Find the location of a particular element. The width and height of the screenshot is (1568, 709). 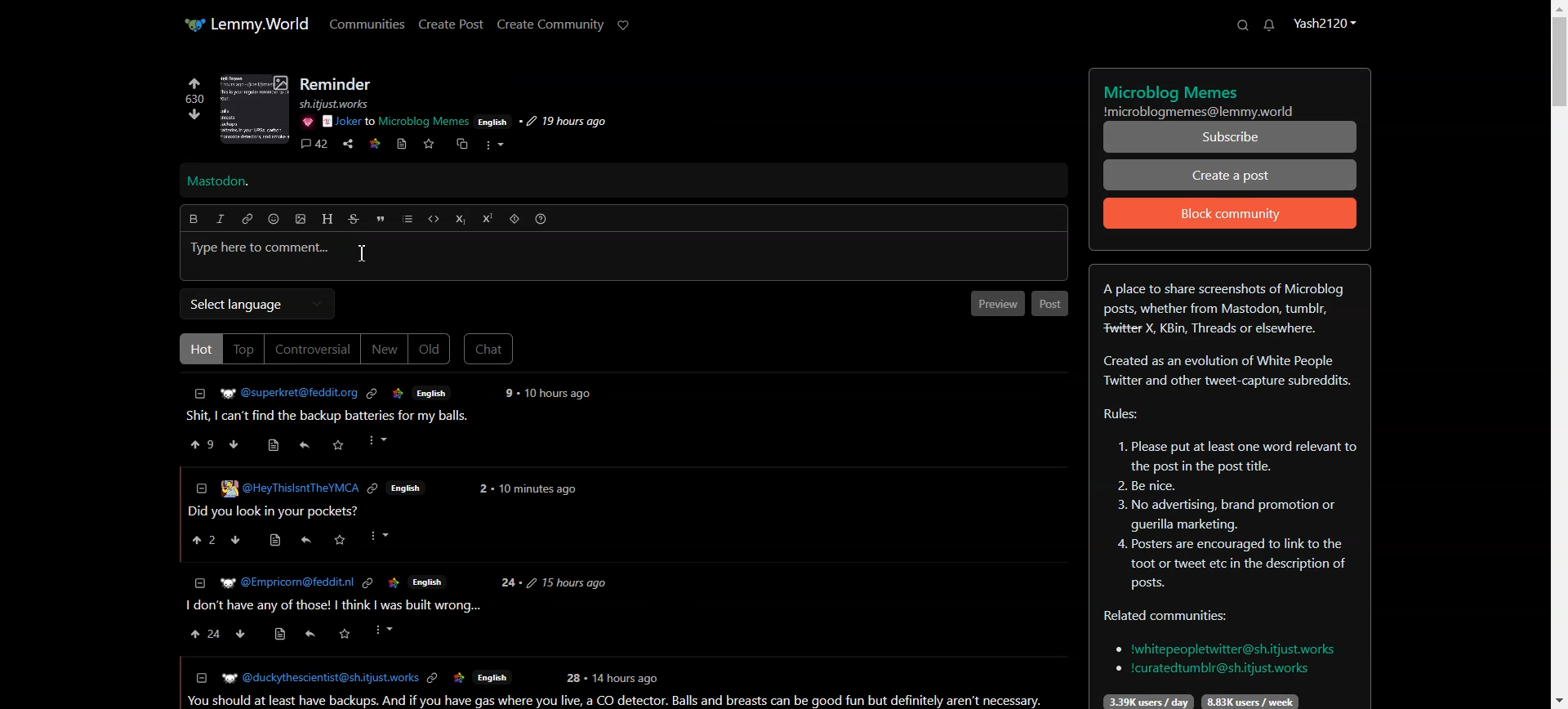

Block community is located at coordinates (1231, 213).